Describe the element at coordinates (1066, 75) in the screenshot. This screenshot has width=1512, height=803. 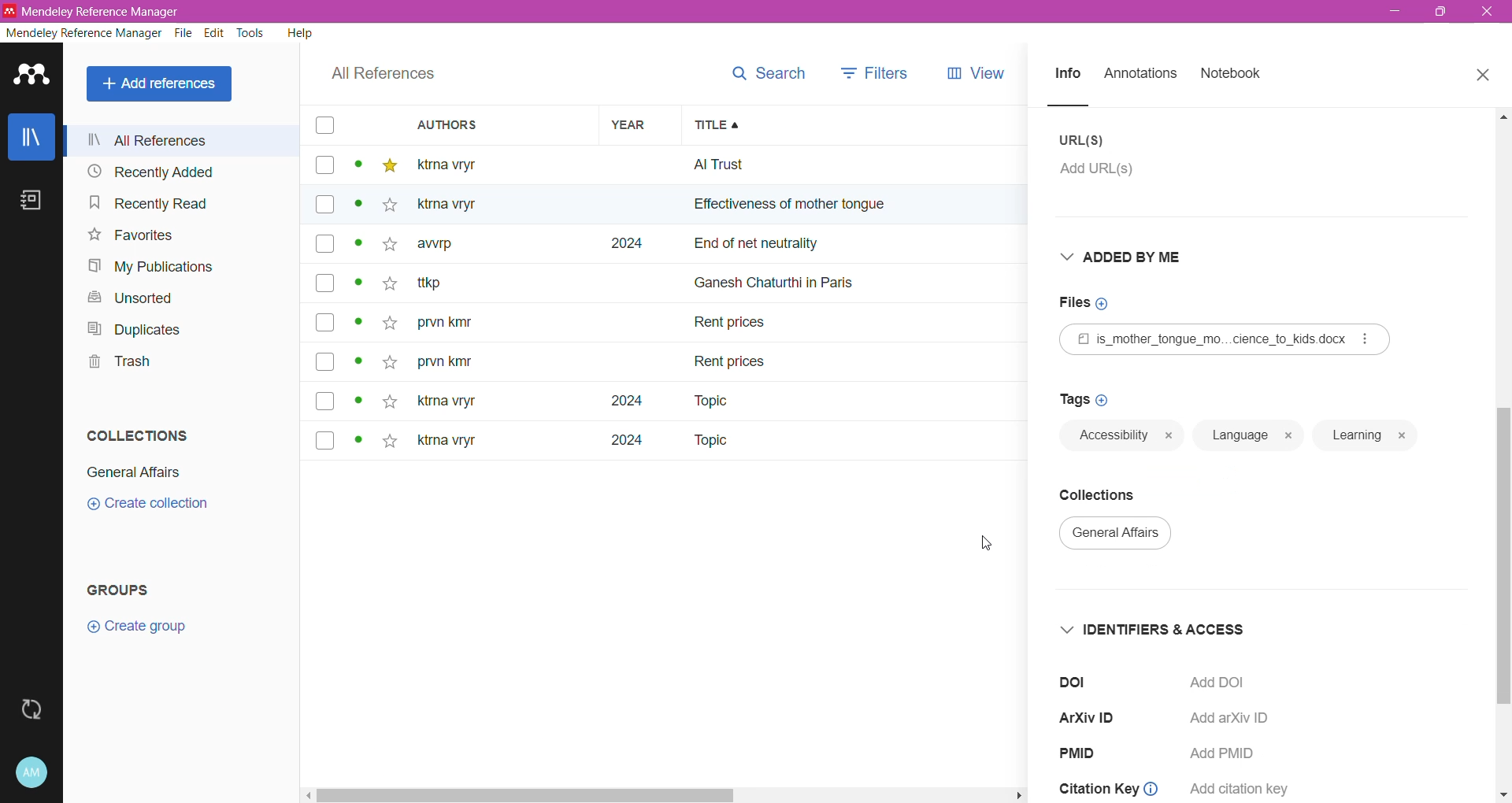
I see `Info` at that location.